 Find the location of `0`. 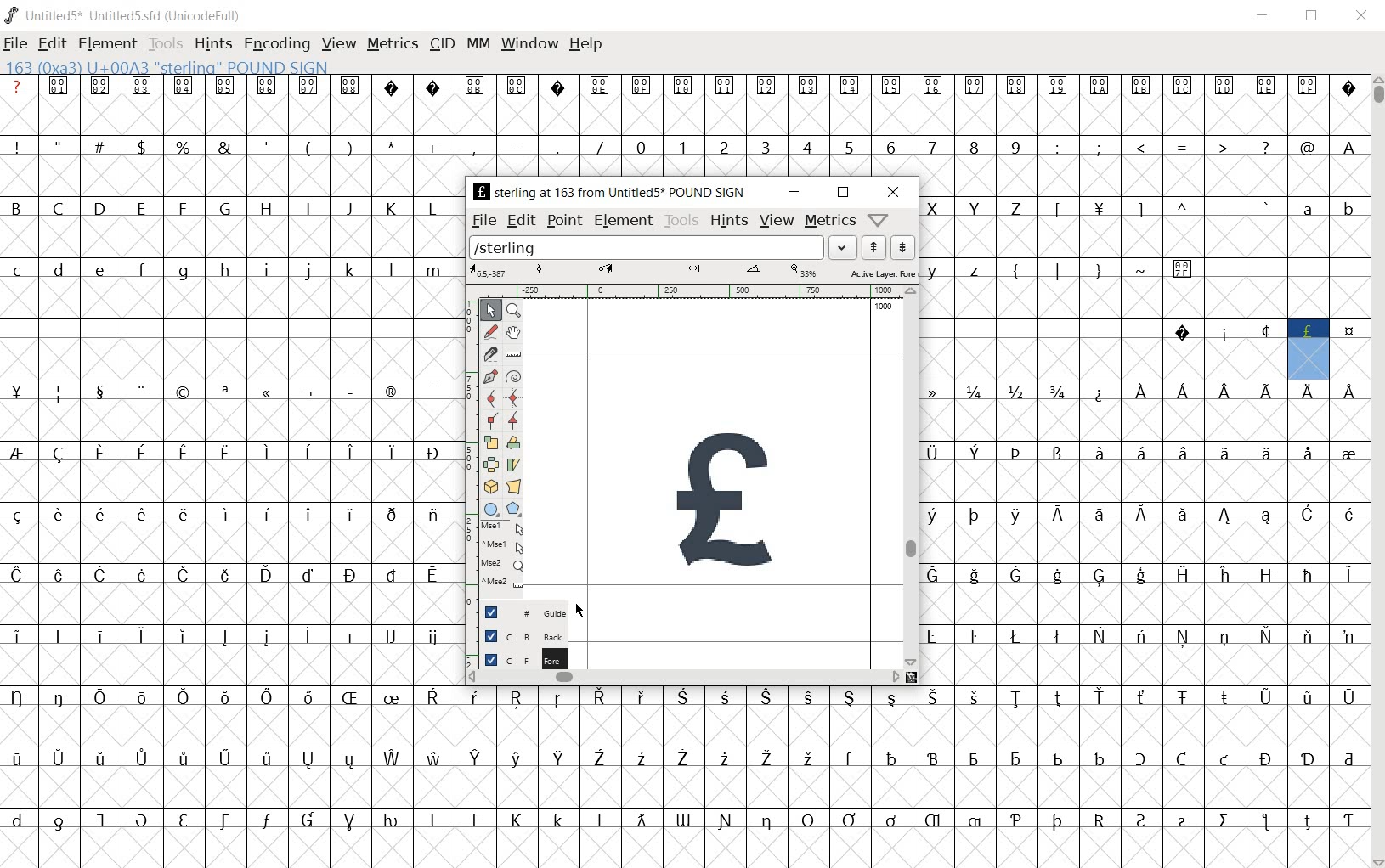

0 is located at coordinates (639, 146).